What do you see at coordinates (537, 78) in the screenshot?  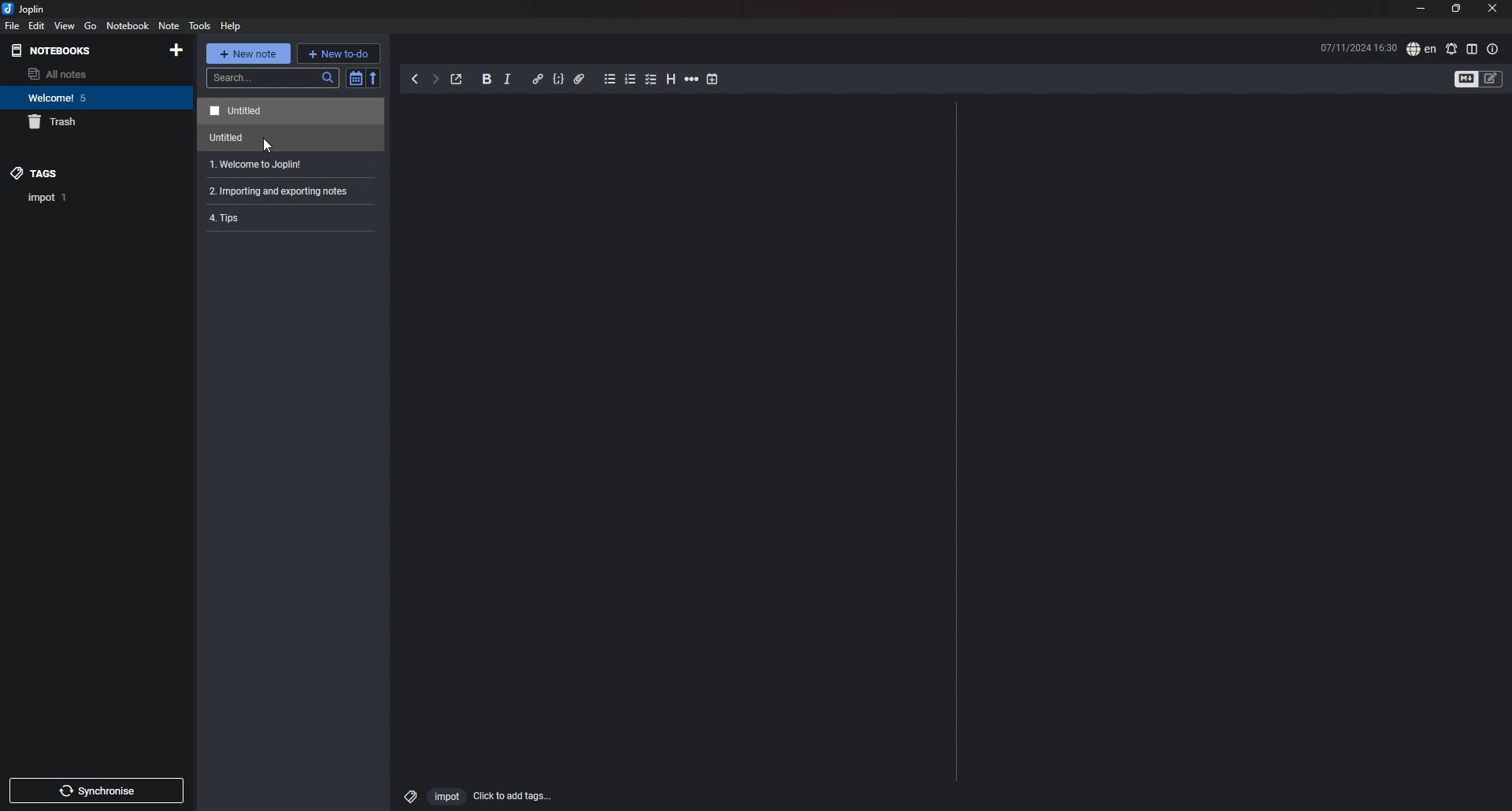 I see `hyperlink` at bounding box center [537, 78].